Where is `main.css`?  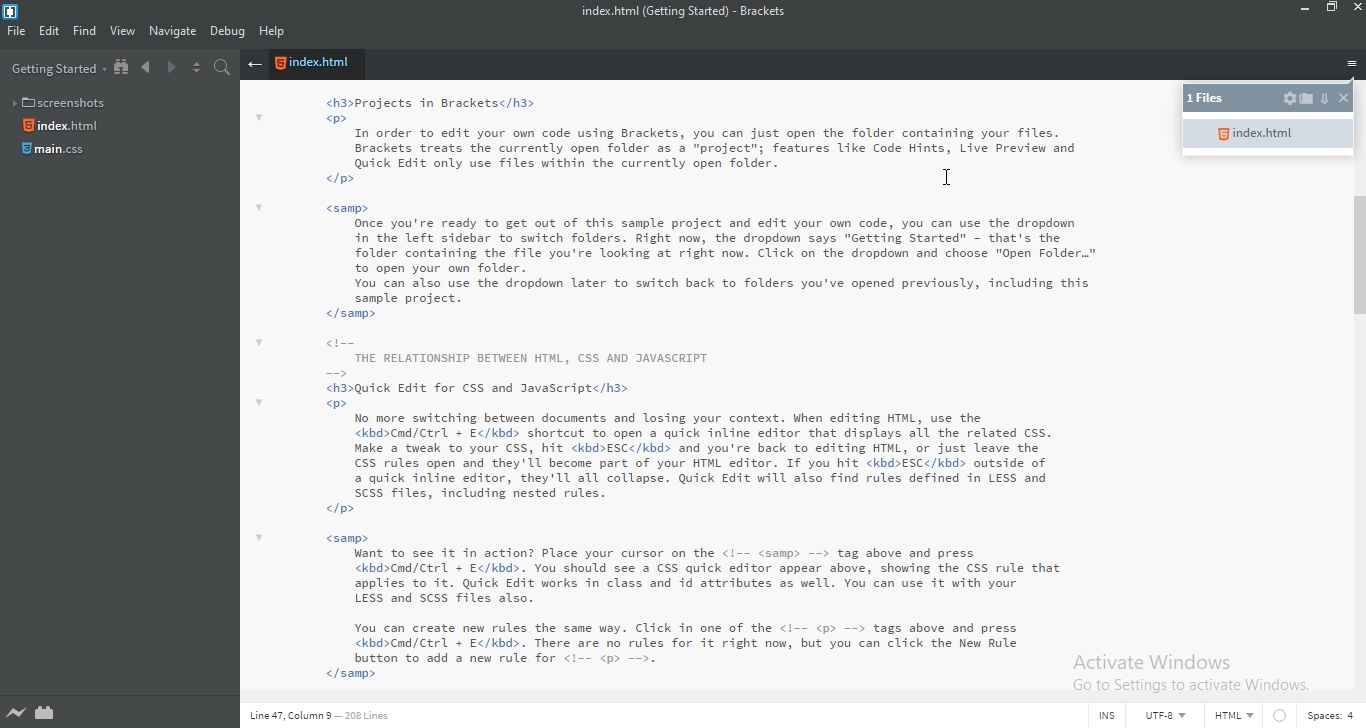 main.css is located at coordinates (56, 154).